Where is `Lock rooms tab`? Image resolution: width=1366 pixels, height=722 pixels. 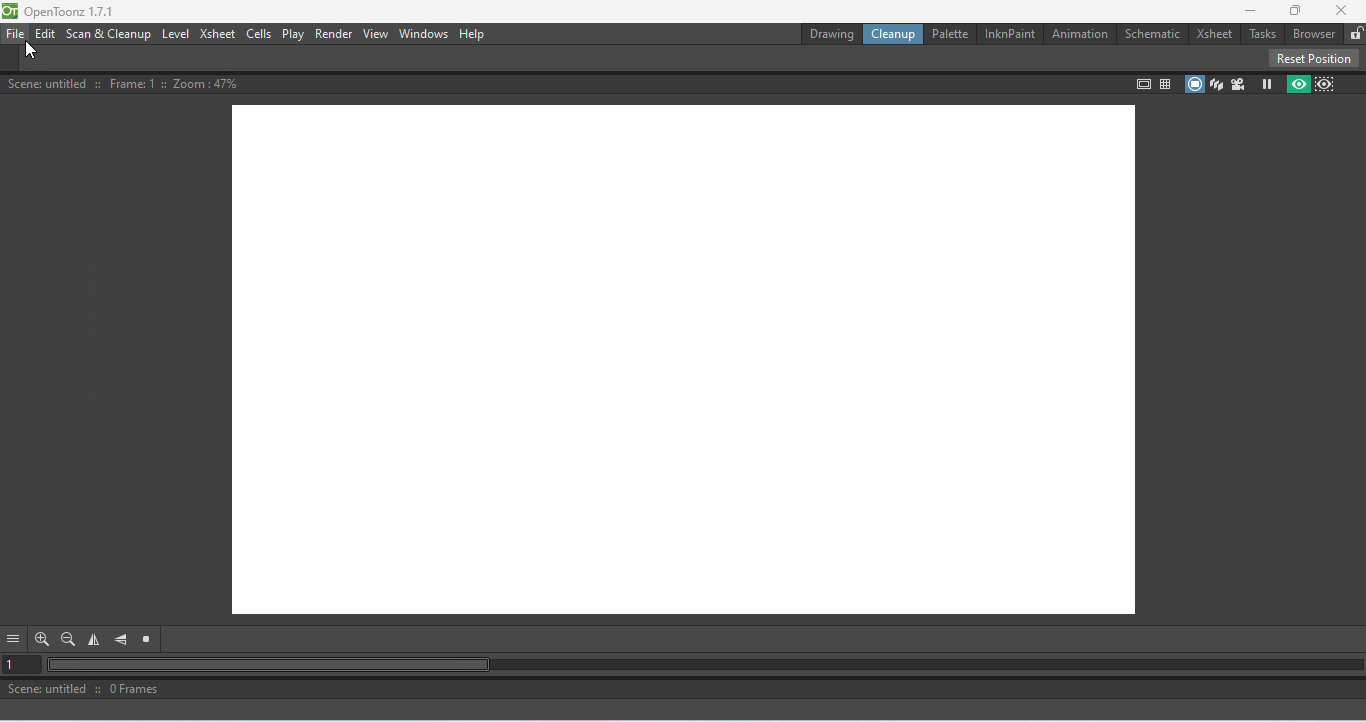 Lock rooms tab is located at coordinates (1355, 32).